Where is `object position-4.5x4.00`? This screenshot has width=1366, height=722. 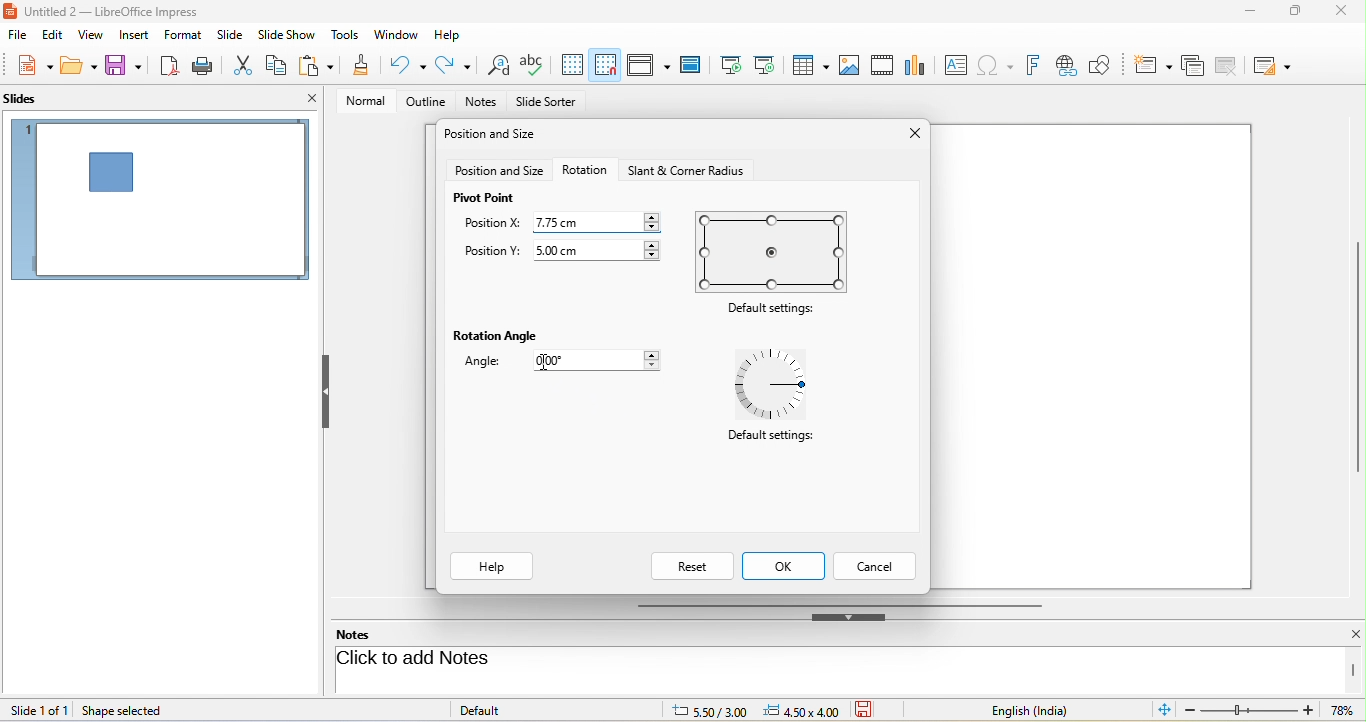 object position-4.5x4.00 is located at coordinates (800, 710).